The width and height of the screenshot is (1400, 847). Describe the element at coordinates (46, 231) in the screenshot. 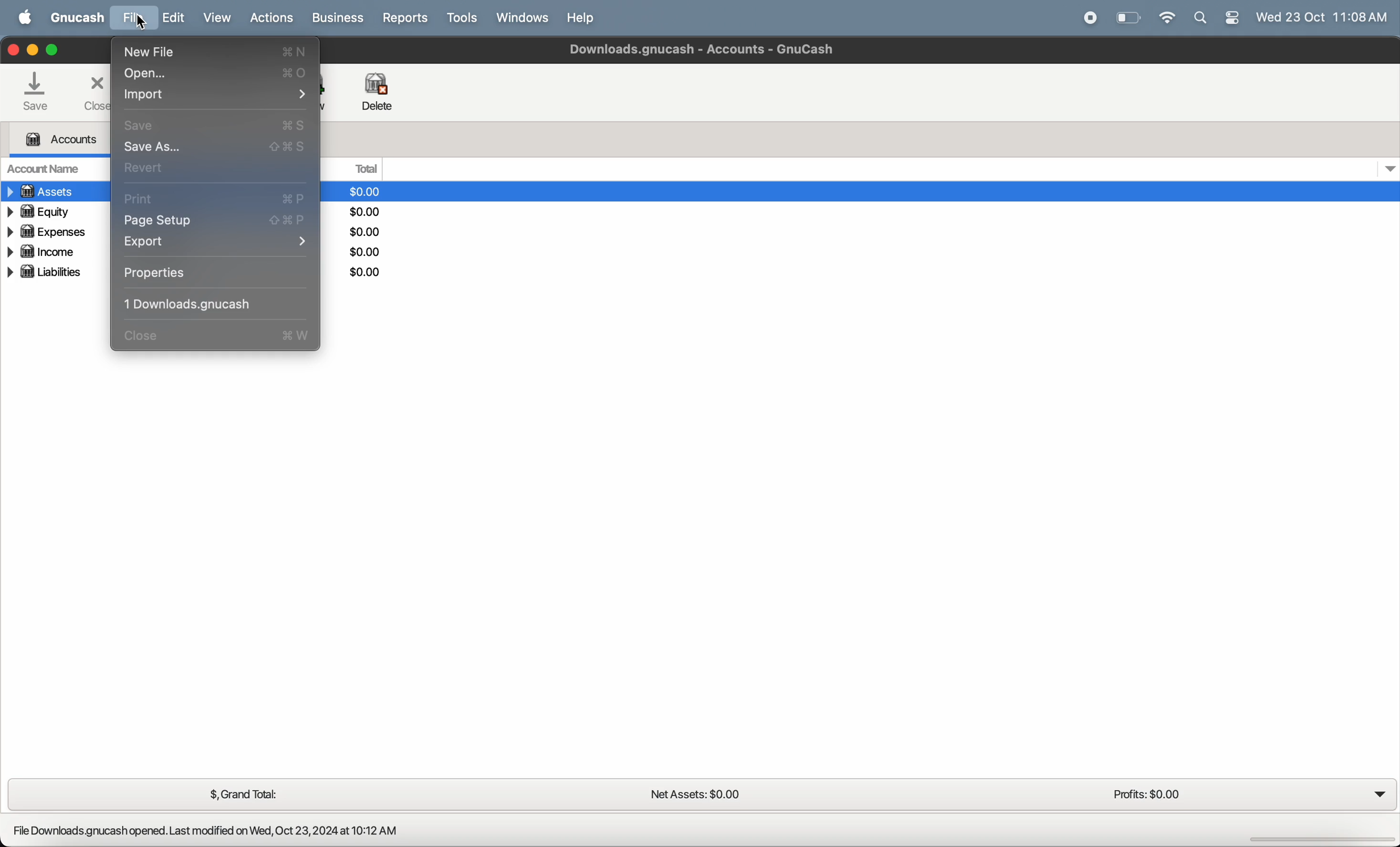

I see `expenses` at that location.